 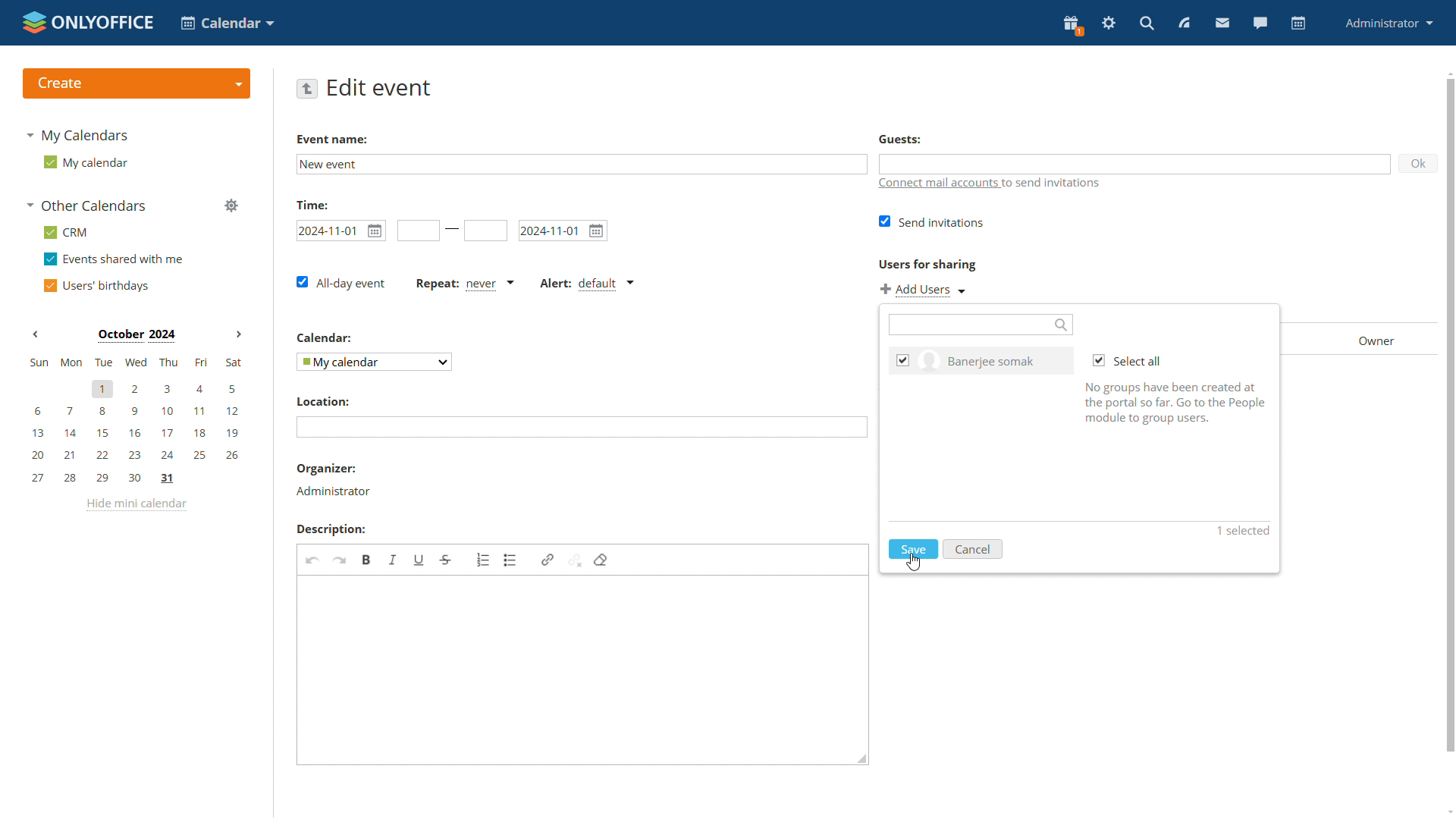 What do you see at coordinates (230, 24) in the screenshot?
I see `select application` at bounding box center [230, 24].